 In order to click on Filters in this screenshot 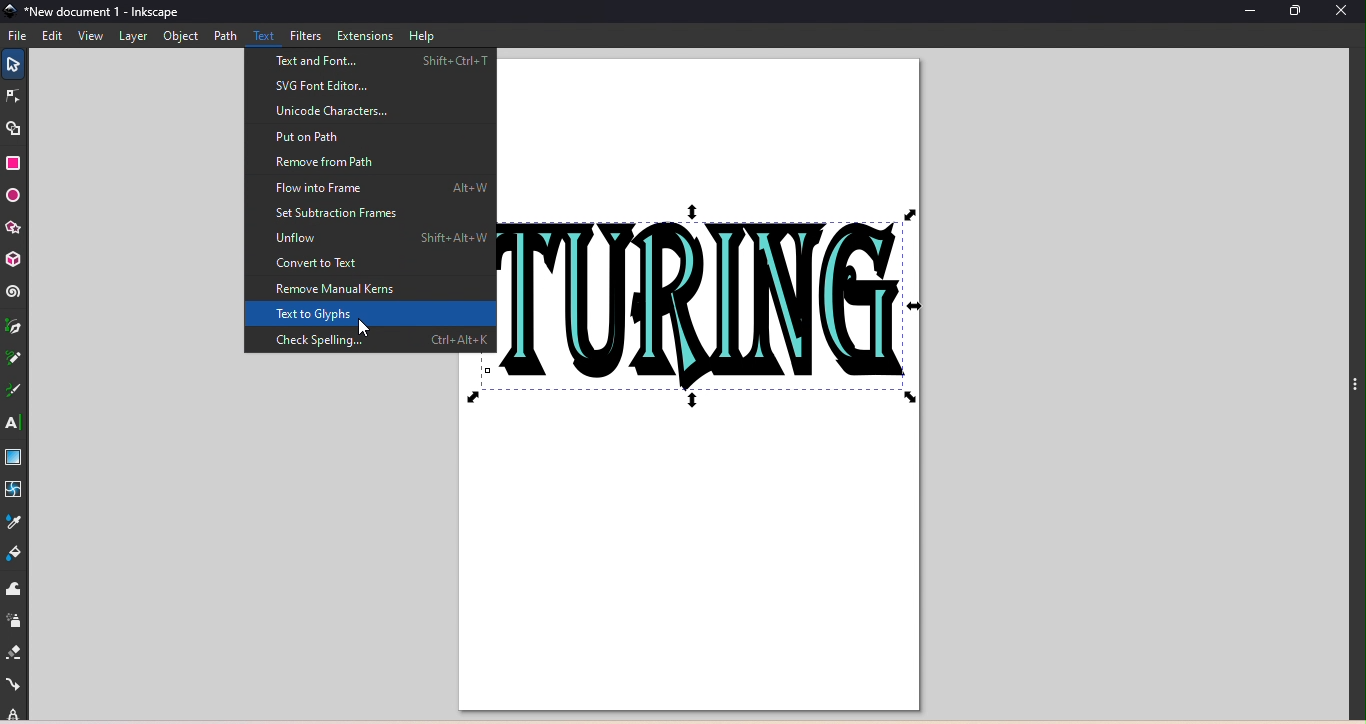, I will do `click(304, 34)`.